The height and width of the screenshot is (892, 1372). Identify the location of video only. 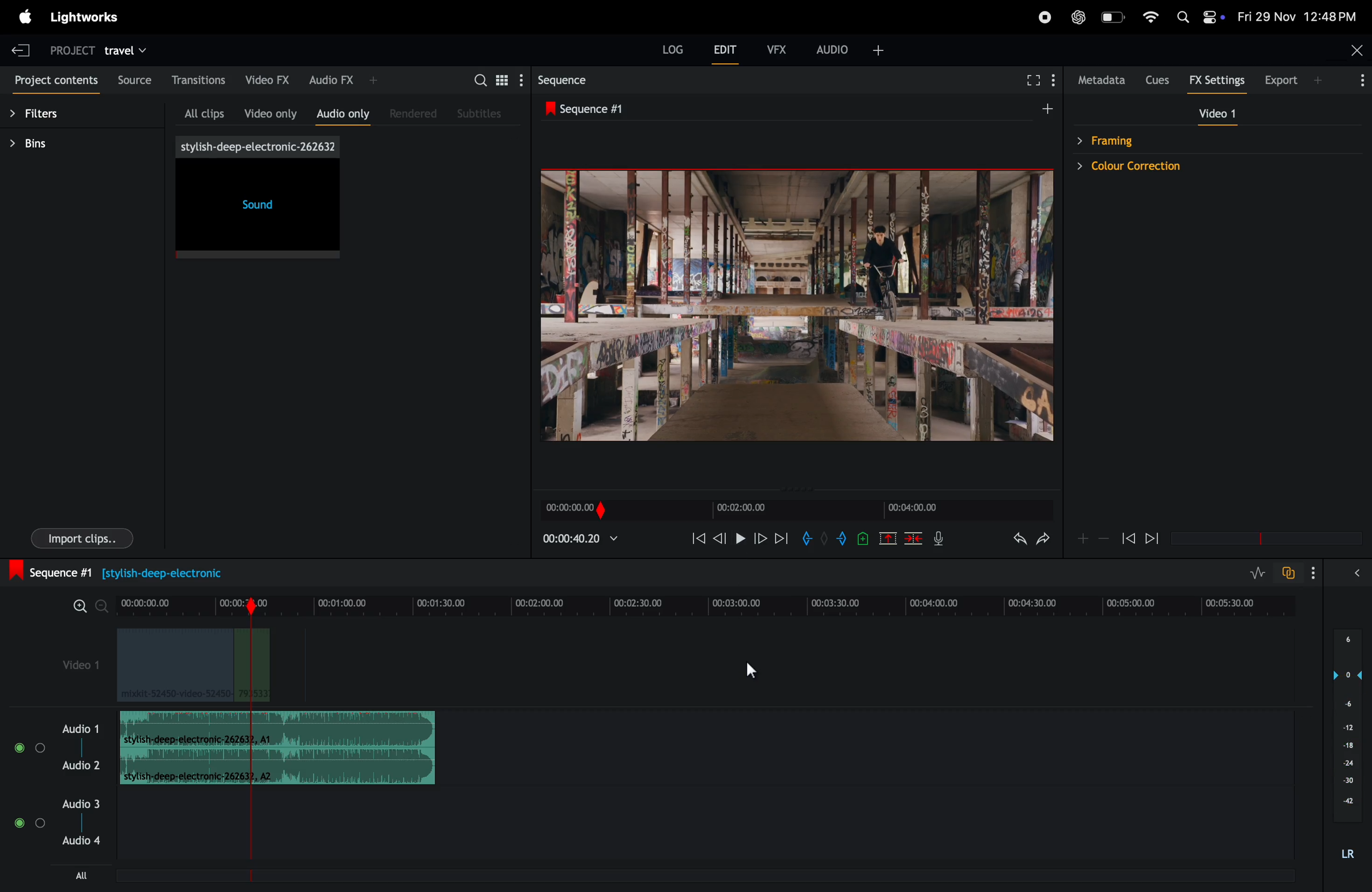
(270, 111).